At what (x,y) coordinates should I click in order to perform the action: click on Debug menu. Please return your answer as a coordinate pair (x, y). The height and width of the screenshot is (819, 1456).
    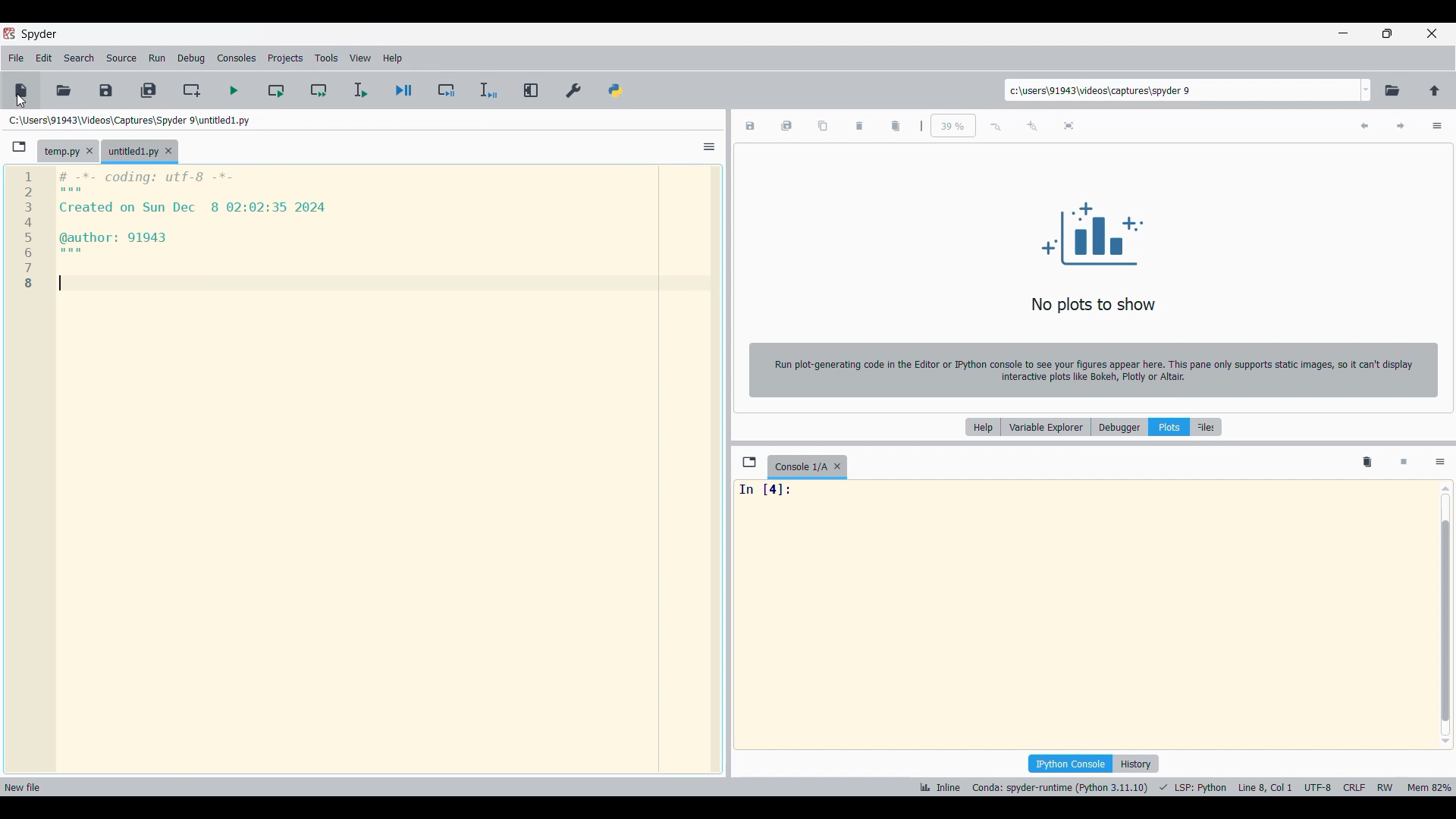
    Looking at the image, I should click on (192, 58).